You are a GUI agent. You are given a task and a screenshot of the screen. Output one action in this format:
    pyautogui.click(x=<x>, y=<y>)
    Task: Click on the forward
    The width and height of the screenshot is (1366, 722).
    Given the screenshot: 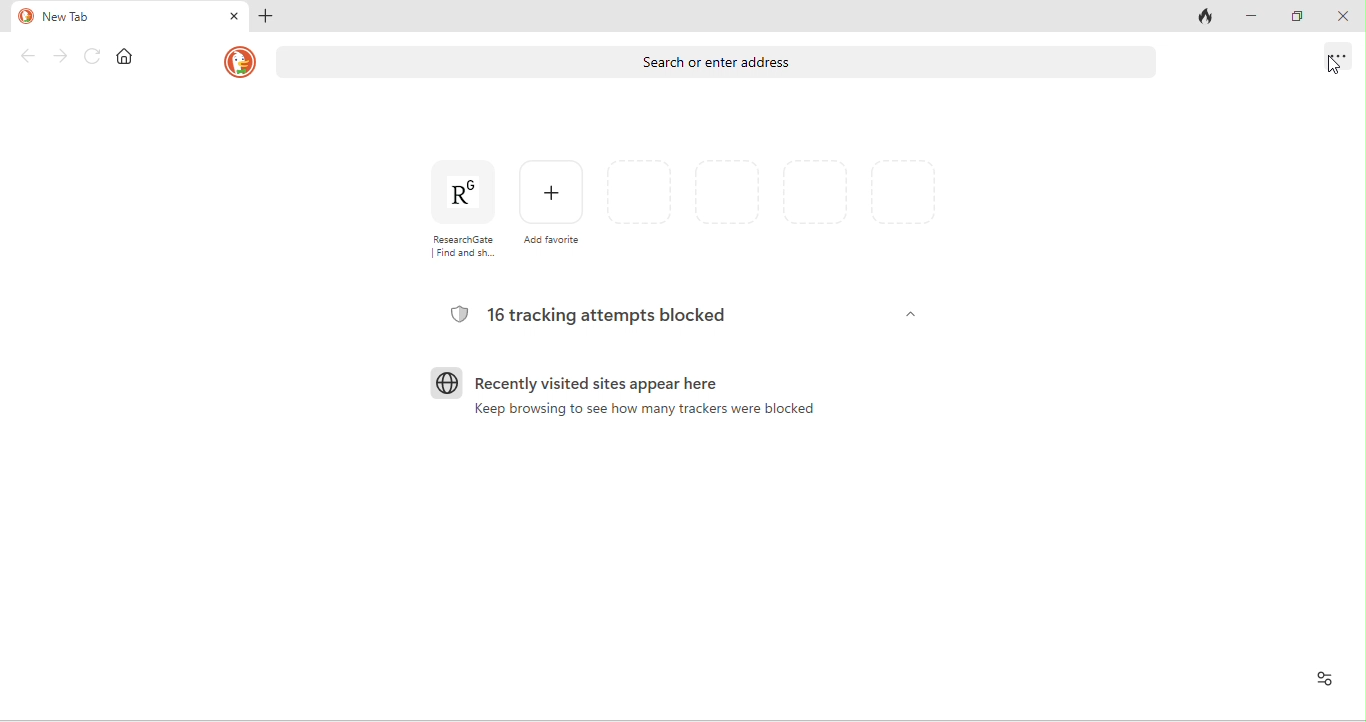 What is the action you would take?
    pyautogui.click(x=63, y=56)
    